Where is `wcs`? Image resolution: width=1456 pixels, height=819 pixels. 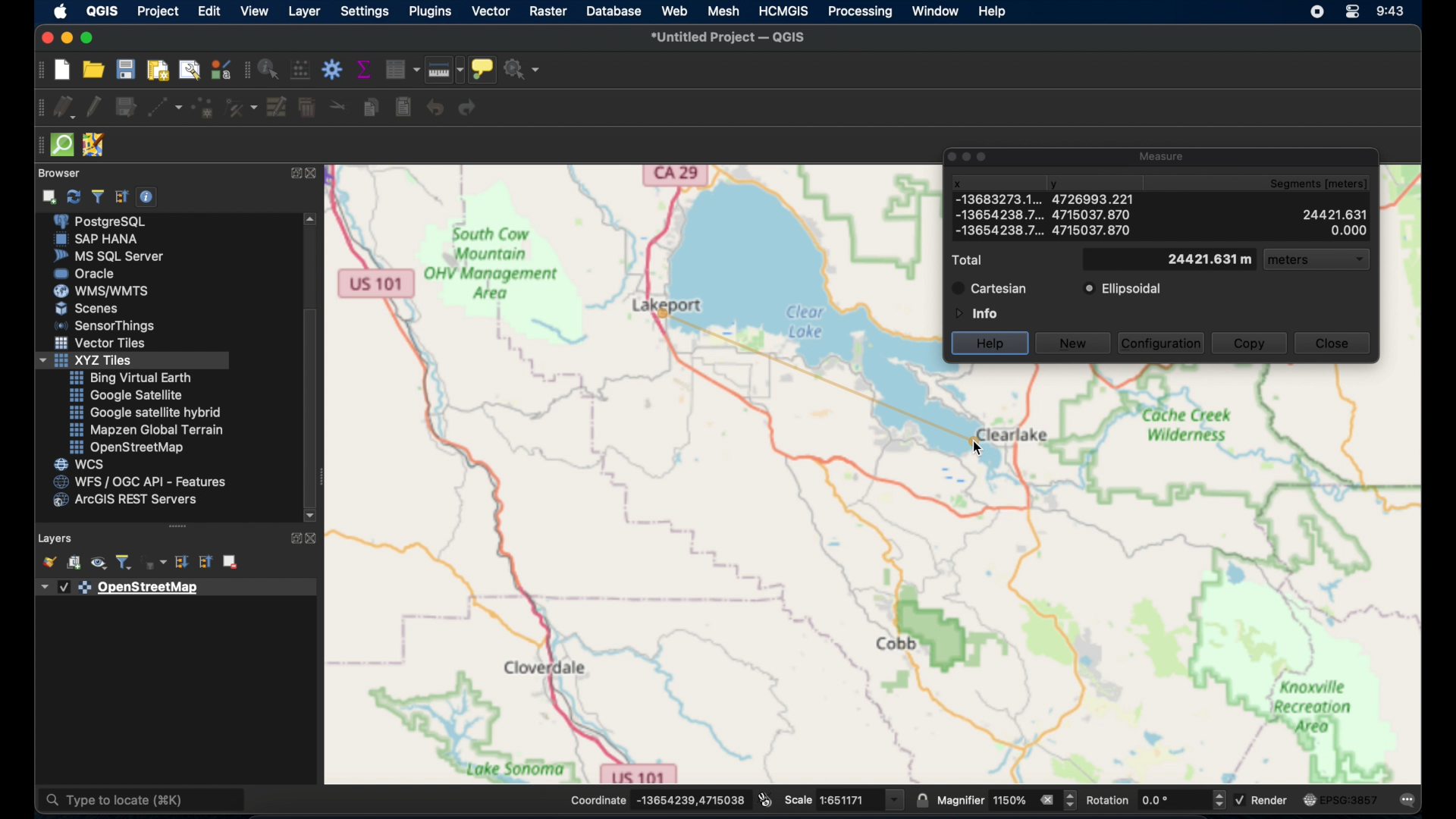 wcs is located at coordinates (80, 464).